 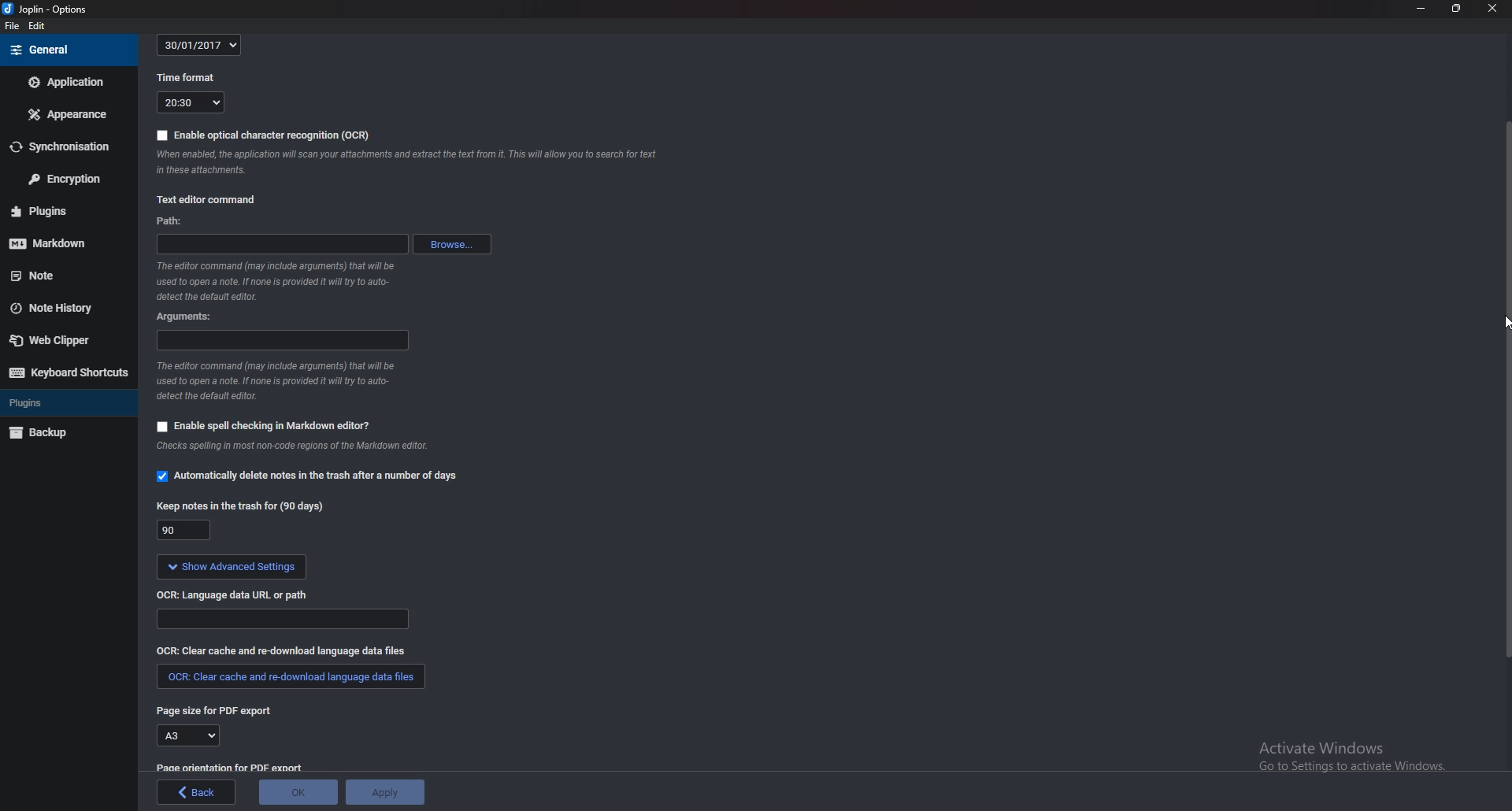 What do you see at coordinates (36, 25) in the screenshot?
I see `Edit` at bounding box center [36, 25].